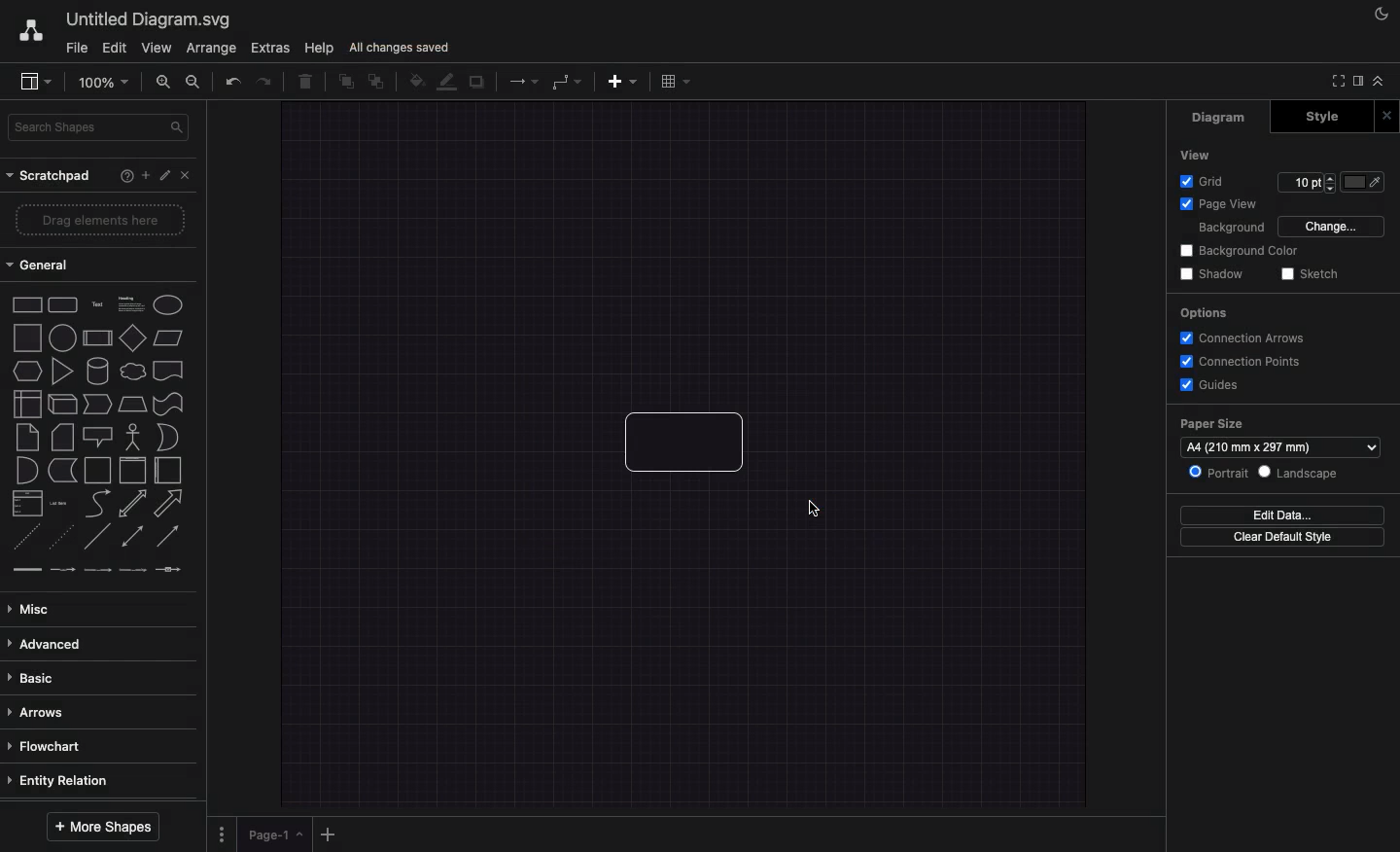 The width and height of the screenshot is (1400, 852). I want to click on Extras, so click(269, 48).